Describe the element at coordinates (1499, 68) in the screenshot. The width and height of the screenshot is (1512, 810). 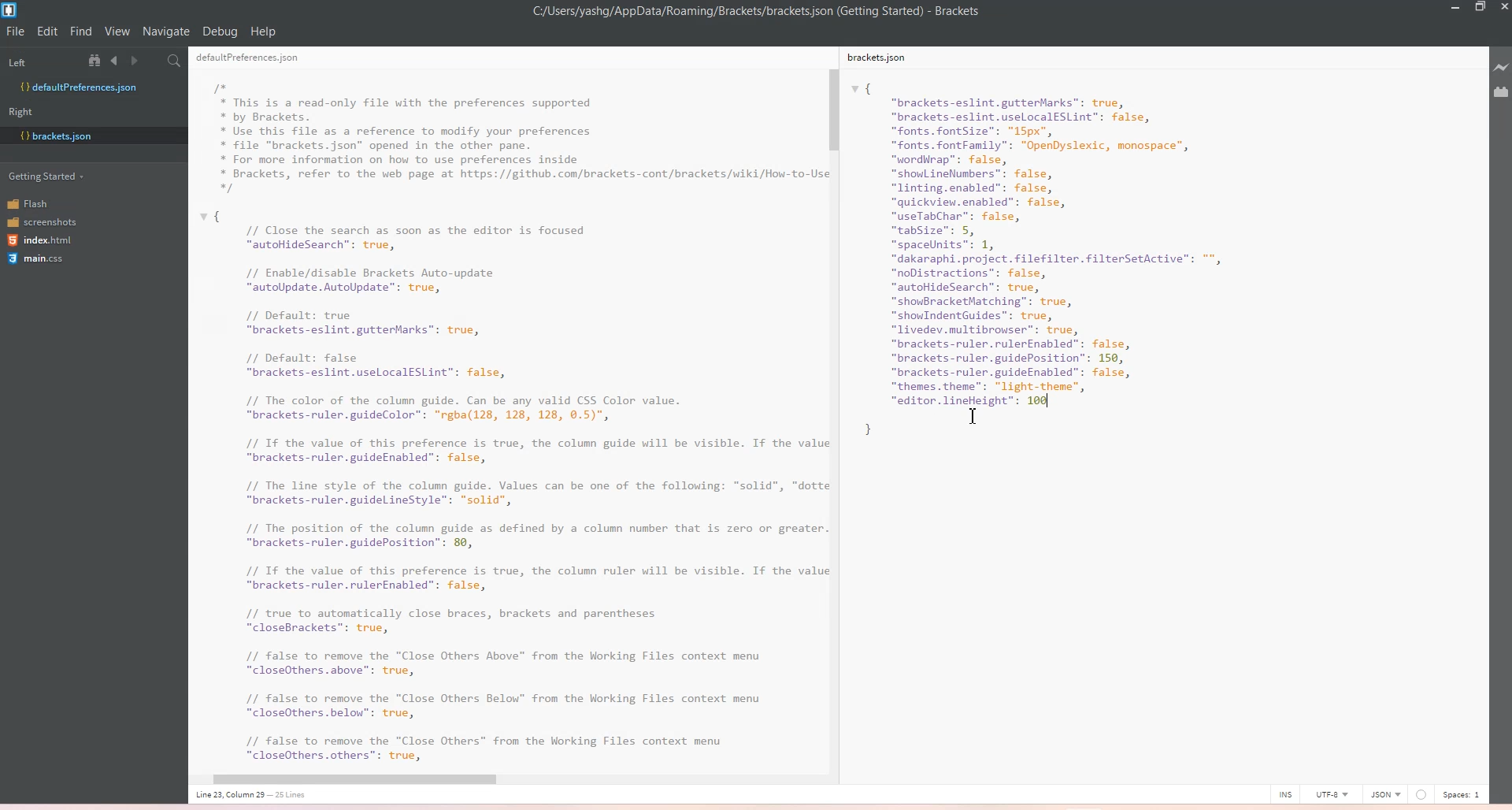
I see `Live Preview` at that location.